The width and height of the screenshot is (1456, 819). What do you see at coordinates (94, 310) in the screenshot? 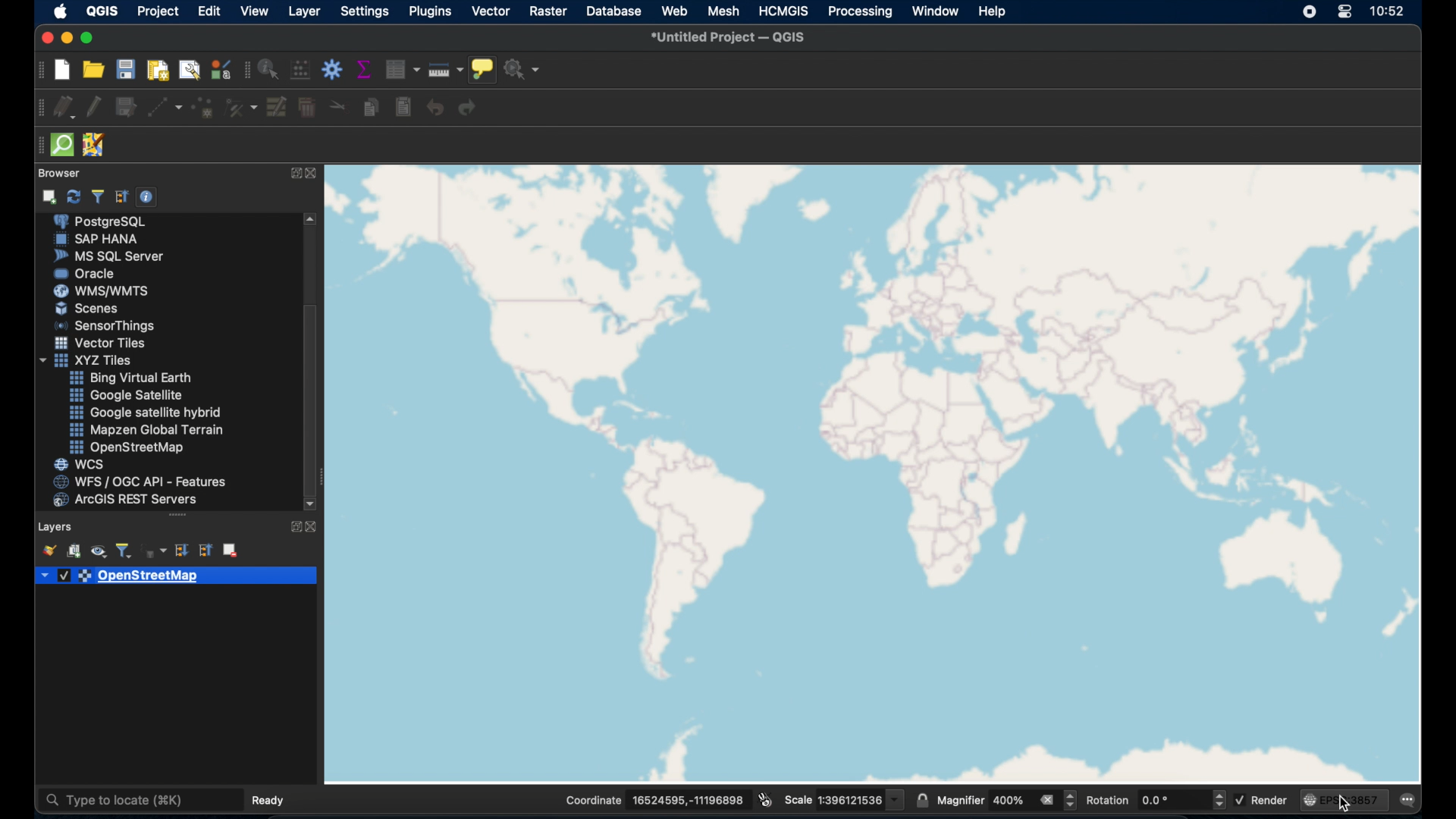
I see `` at bounding box center [94, 310].